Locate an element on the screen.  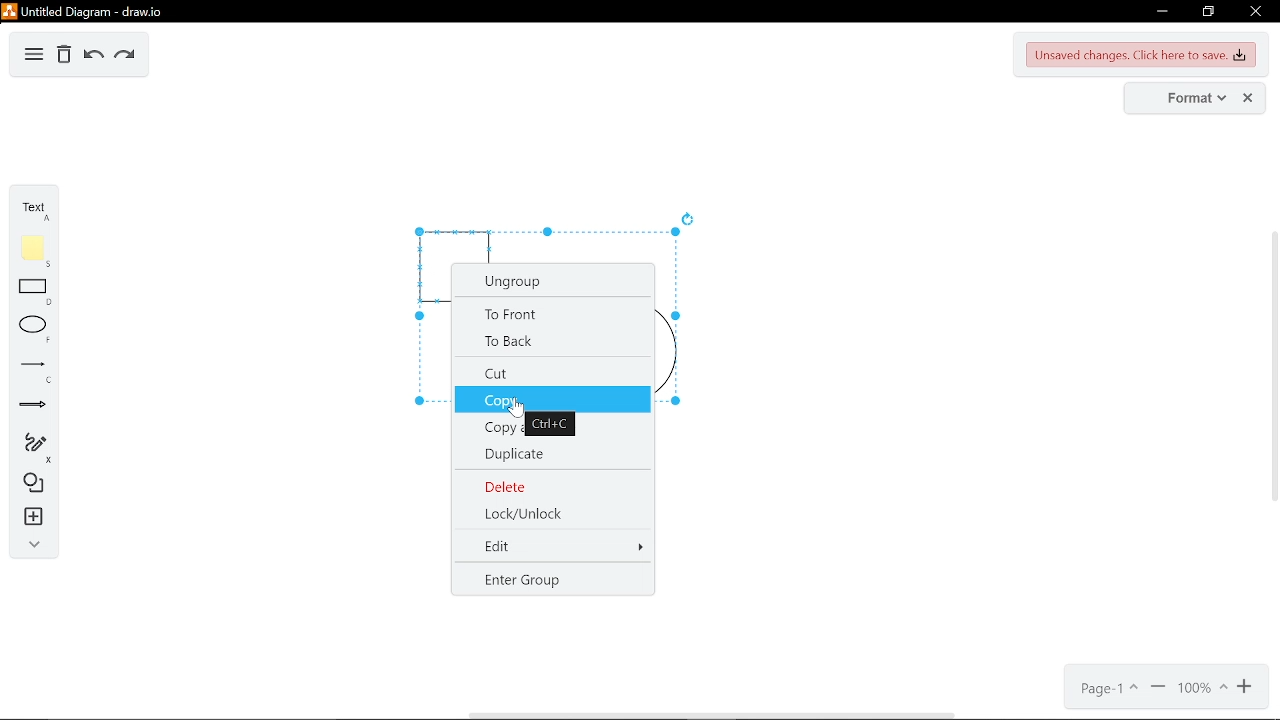
cut is located at coordinates (557, 372).